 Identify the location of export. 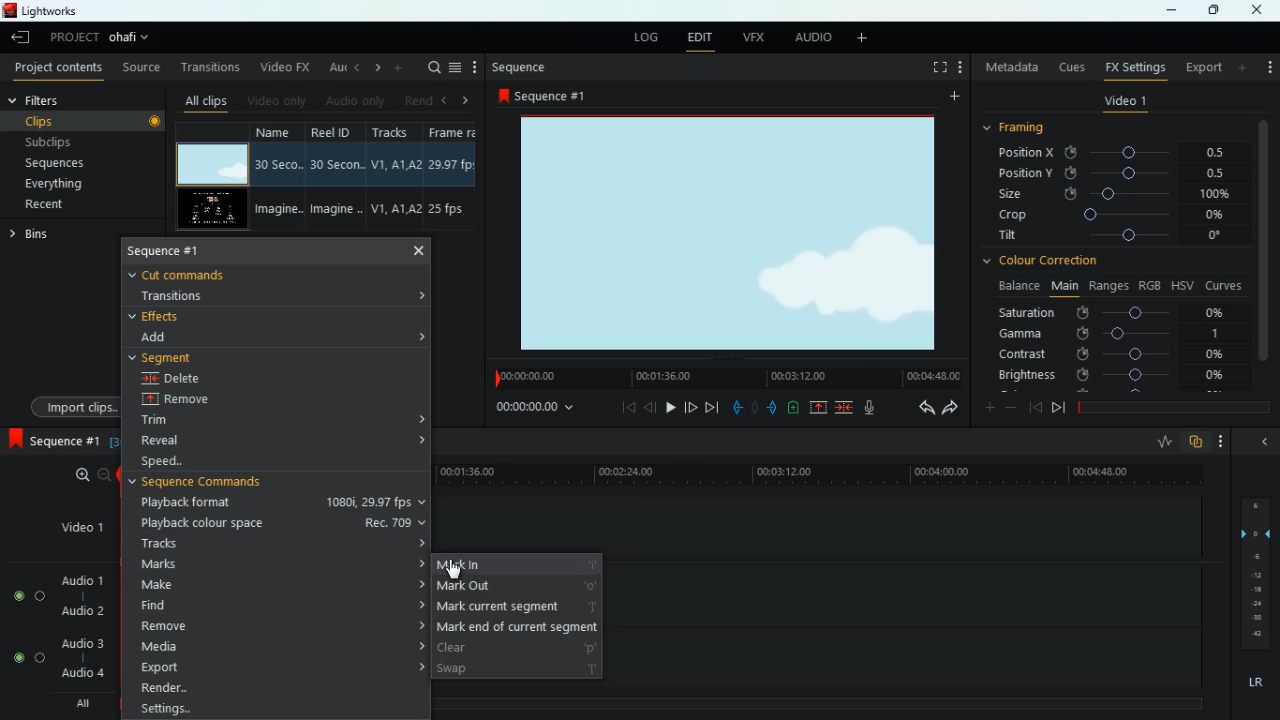
(1202, 67).